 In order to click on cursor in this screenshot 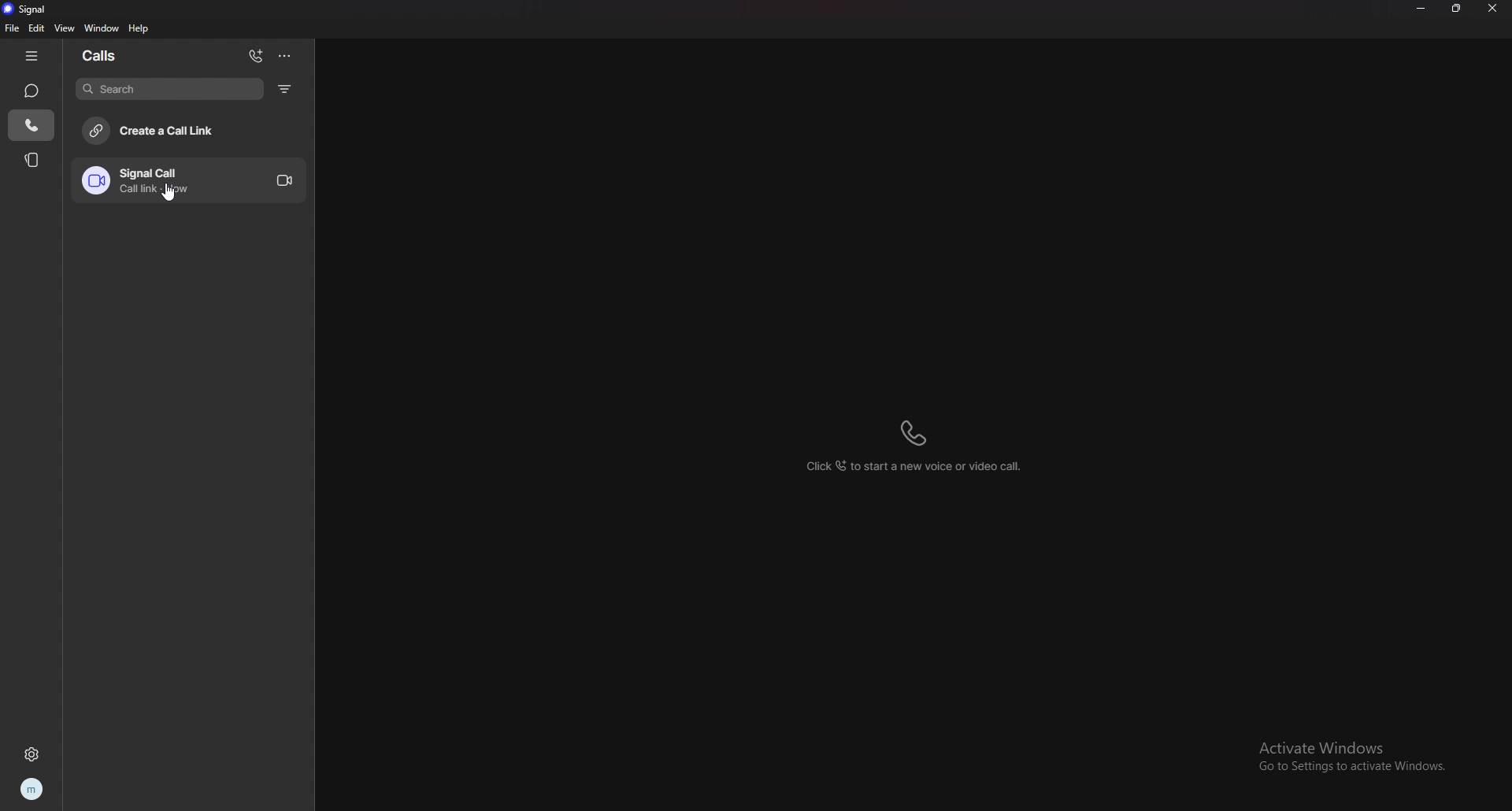, I will do `click(169, 194)`.